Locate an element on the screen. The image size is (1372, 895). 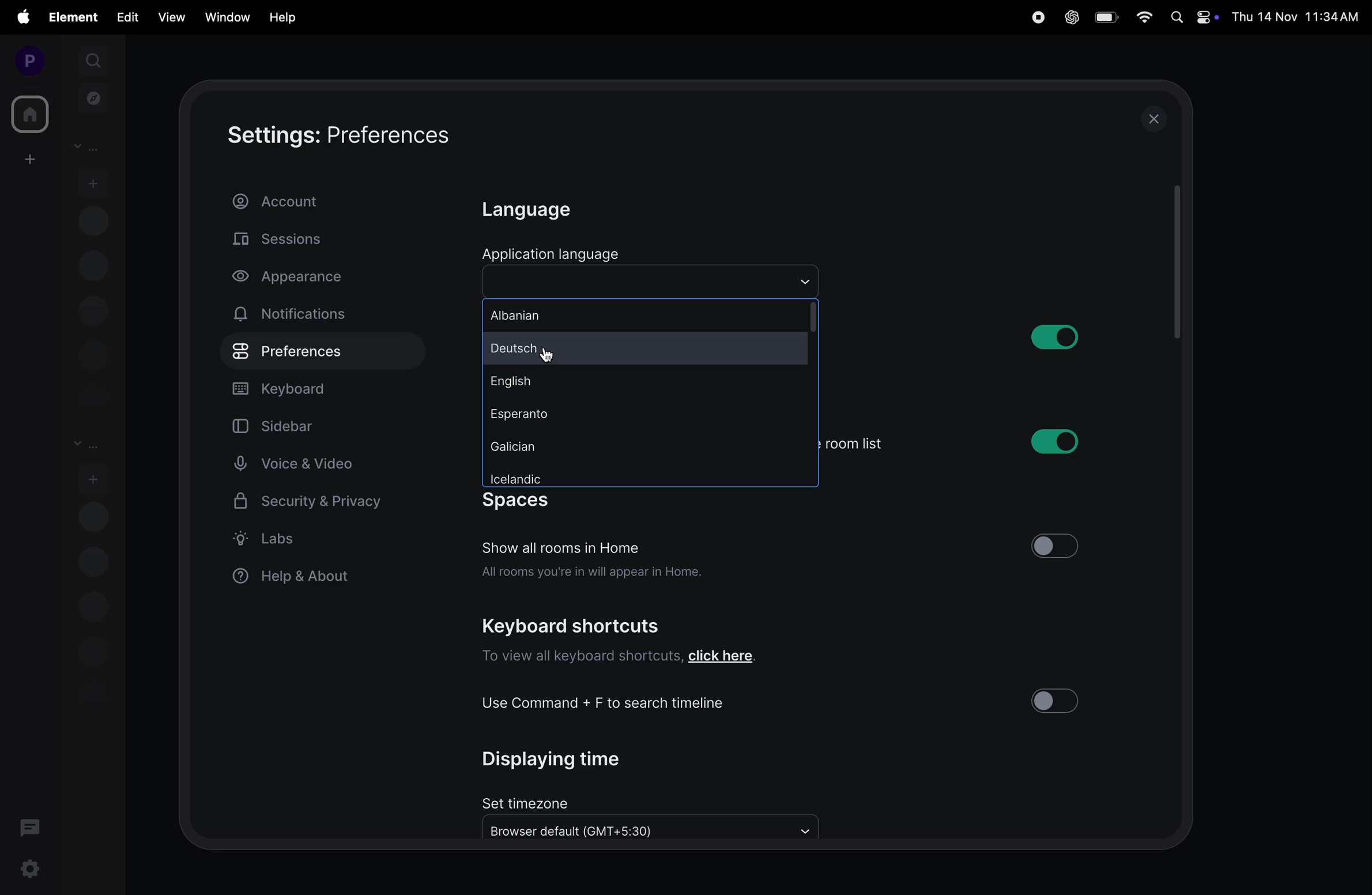
settings:preferences is located at coordinates (345, 132).